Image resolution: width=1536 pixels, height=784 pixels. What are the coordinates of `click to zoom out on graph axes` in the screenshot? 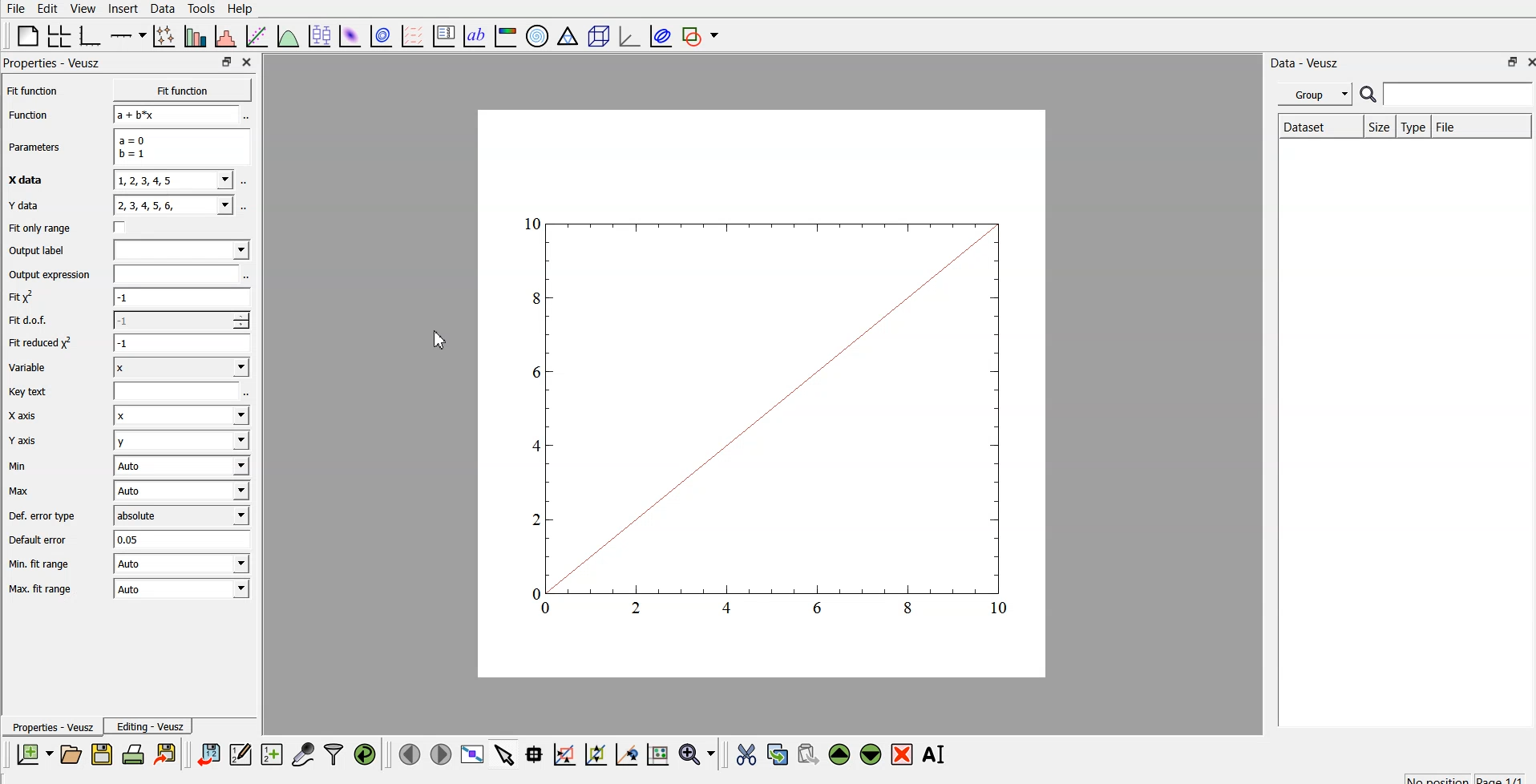 It's located at (596, 754).